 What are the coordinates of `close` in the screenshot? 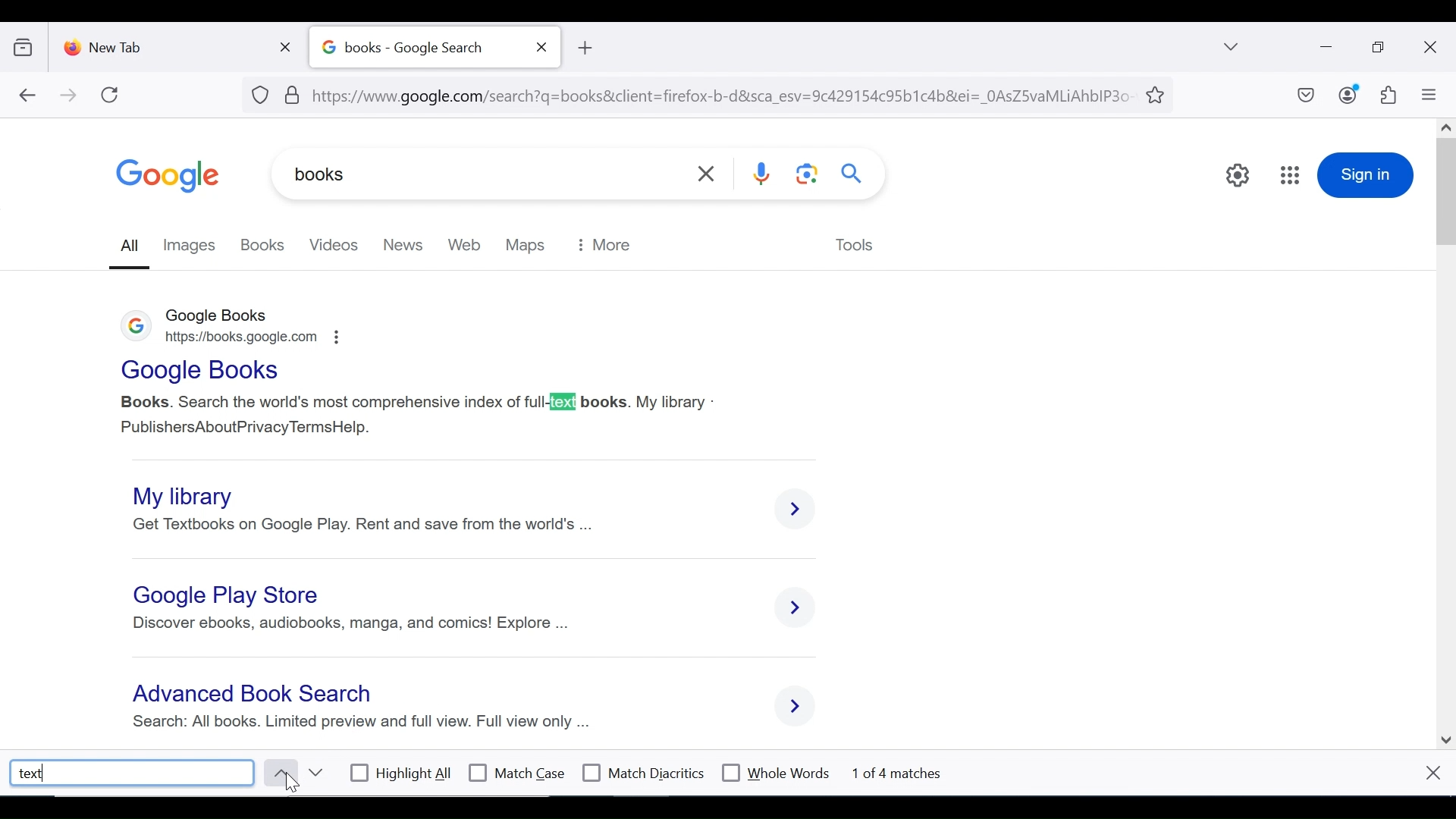 It's located at (1433, 772).